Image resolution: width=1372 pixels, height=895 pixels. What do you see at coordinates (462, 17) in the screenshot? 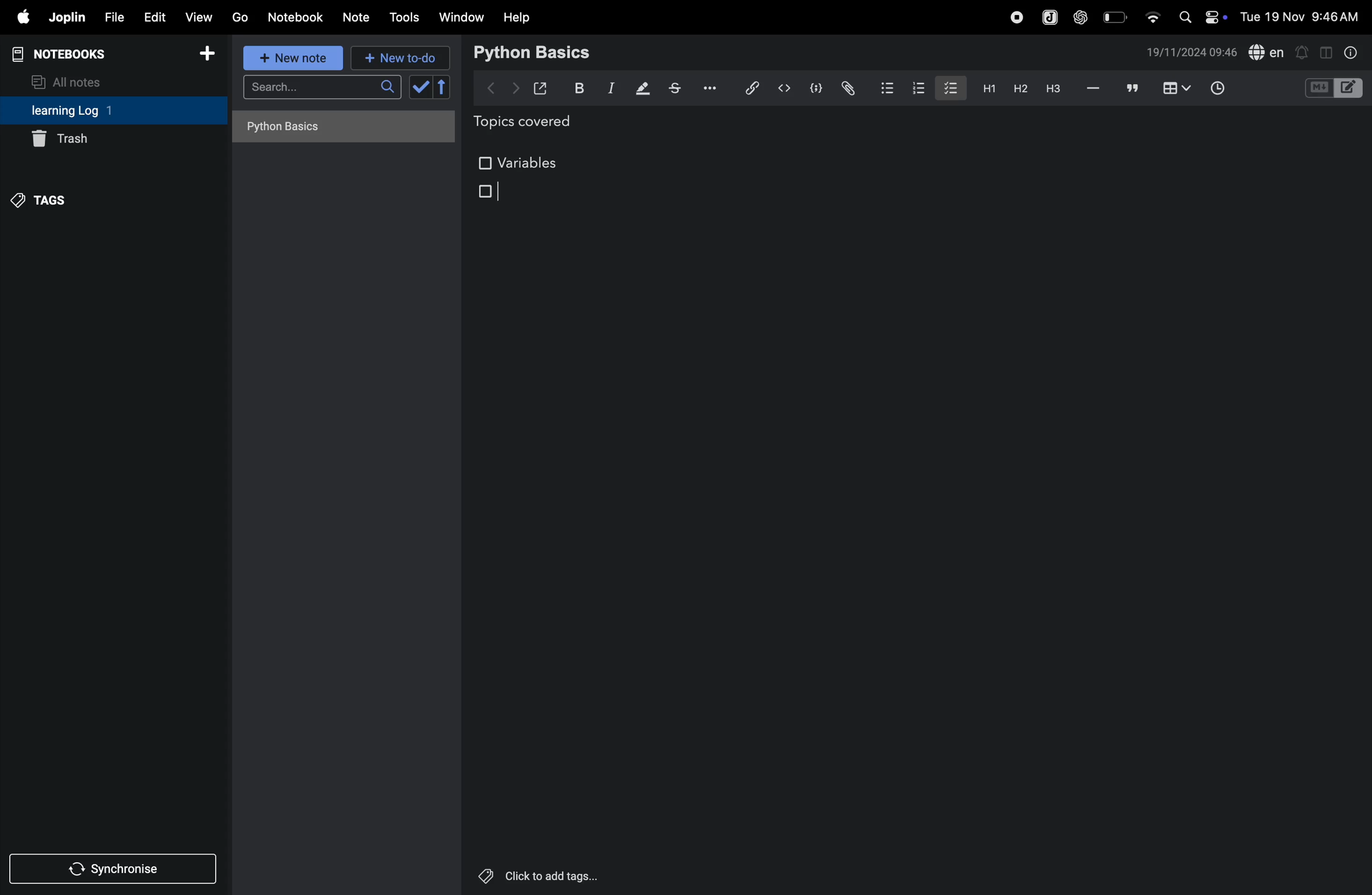
I see `window` at bounding box center [462, 17].